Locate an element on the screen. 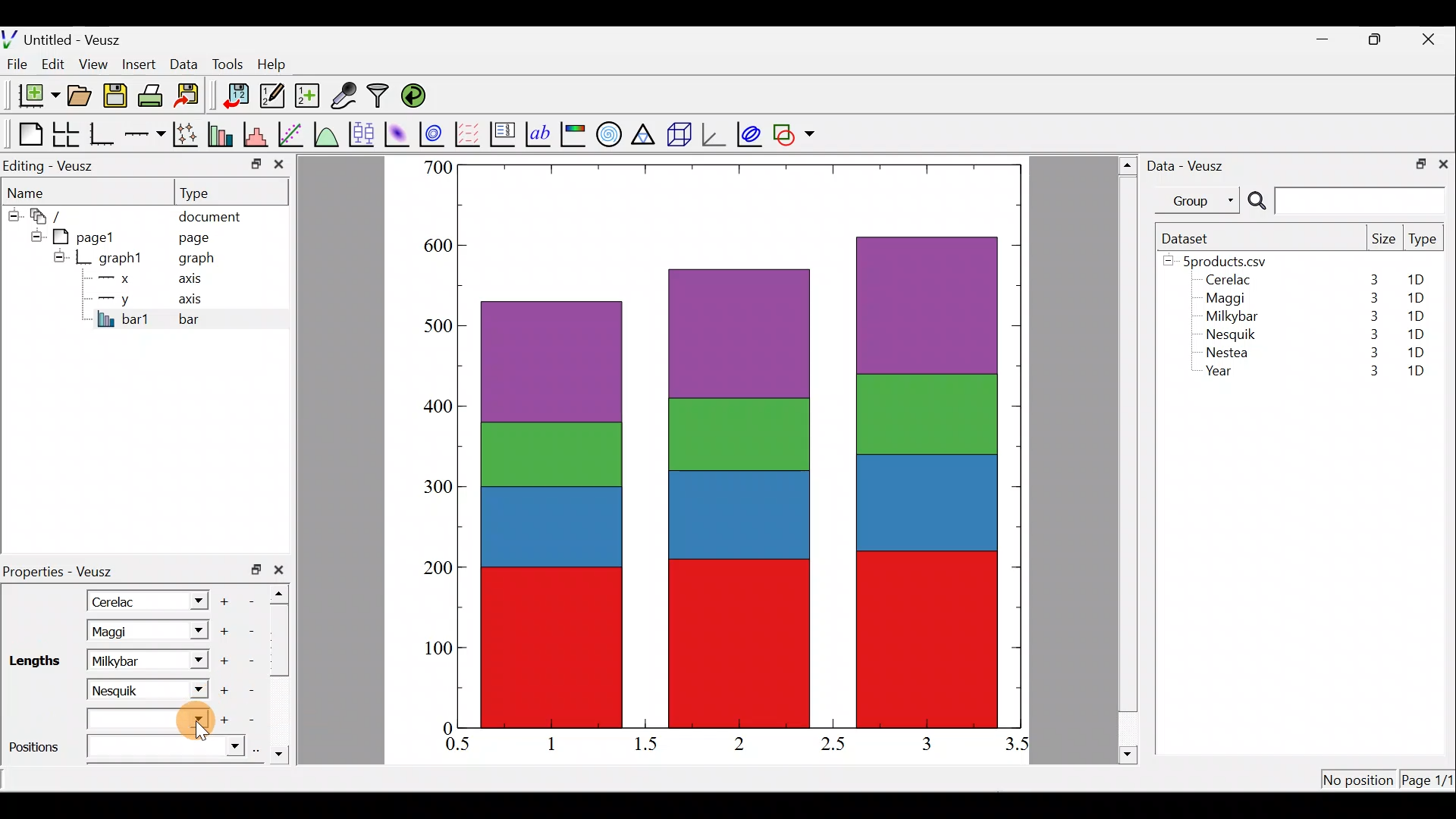 The width and height of the screenshot is (1456, 819). Cerelac is located at coordinates (1225, 281).